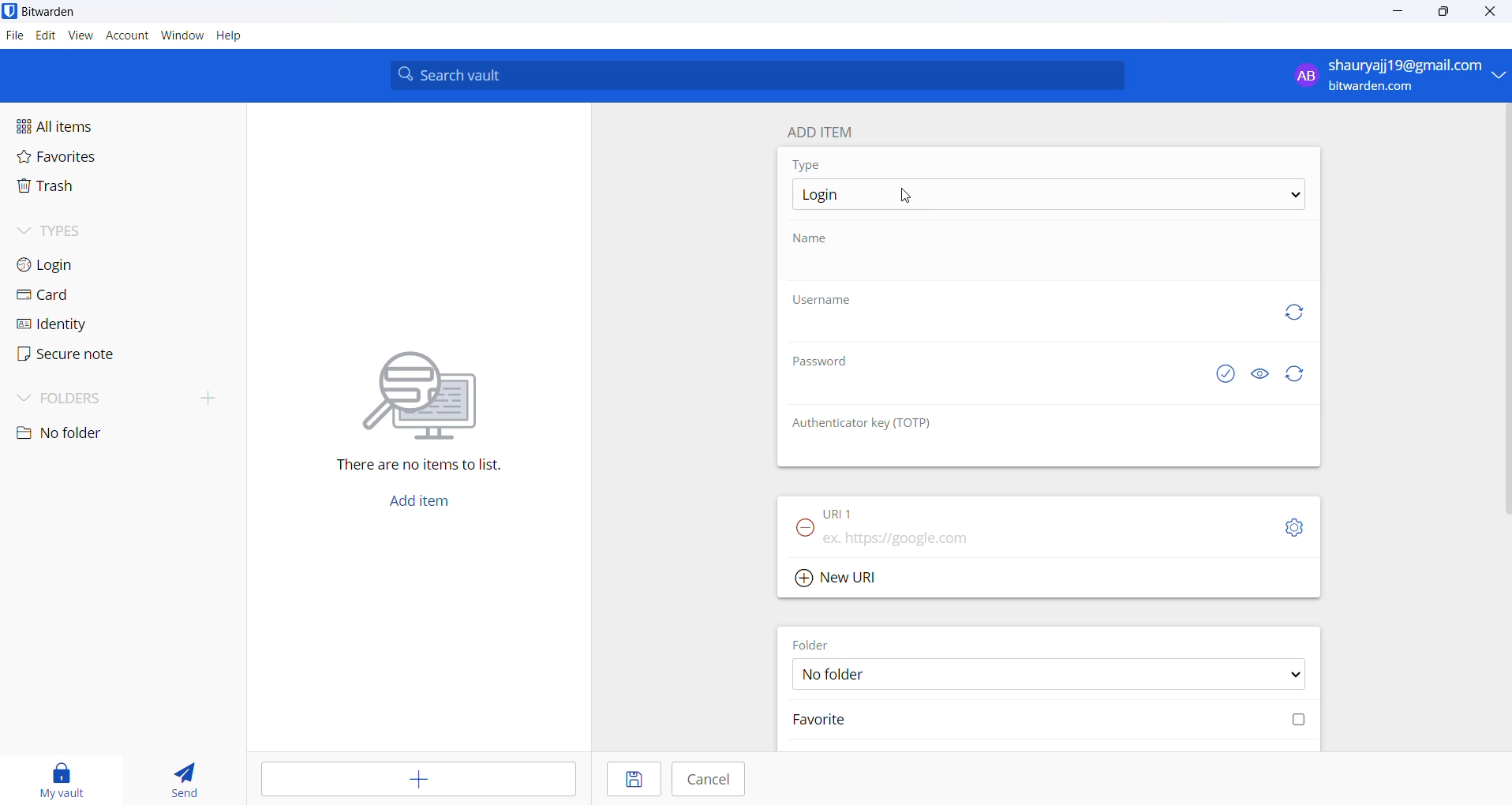  I want to click on otp text box, so click(980, 450).